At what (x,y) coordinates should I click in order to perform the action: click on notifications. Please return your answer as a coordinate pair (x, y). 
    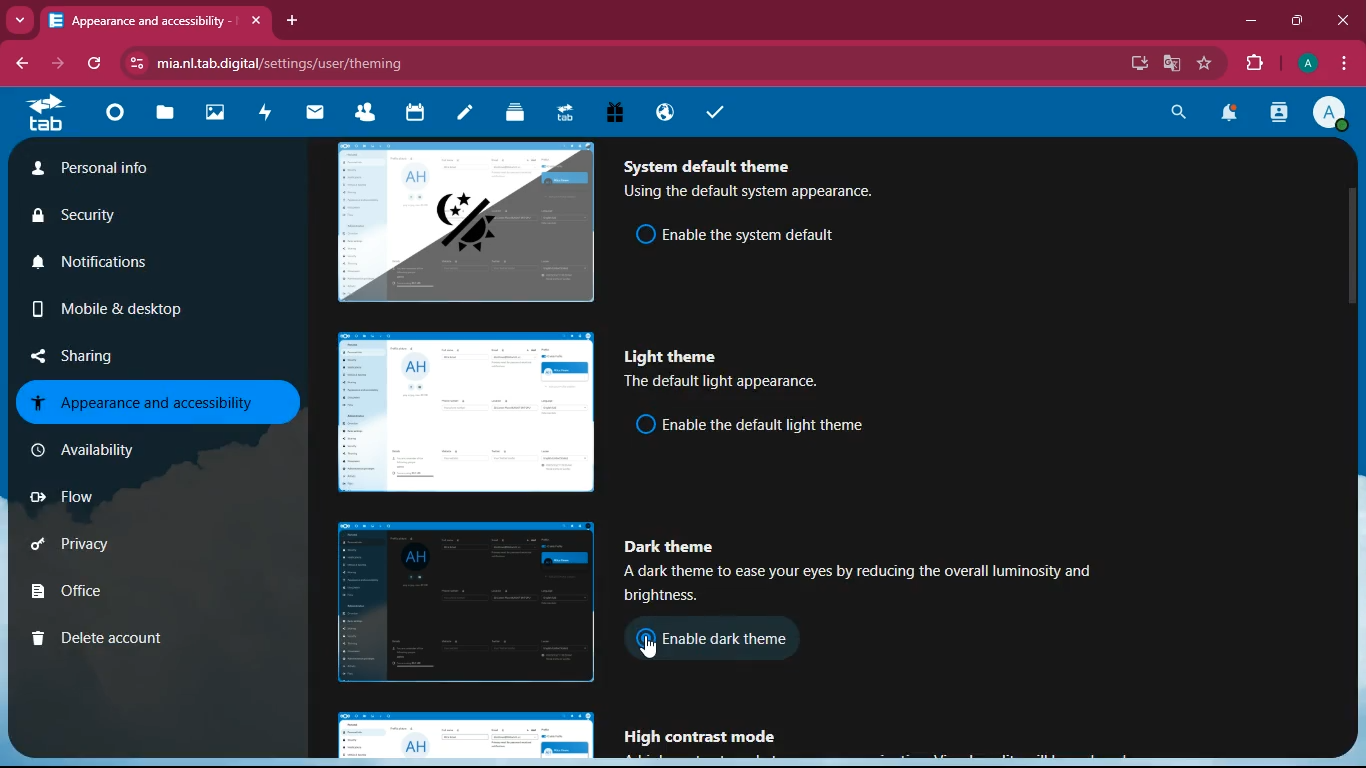
    Looking at the image, I should click on (1231, 115).